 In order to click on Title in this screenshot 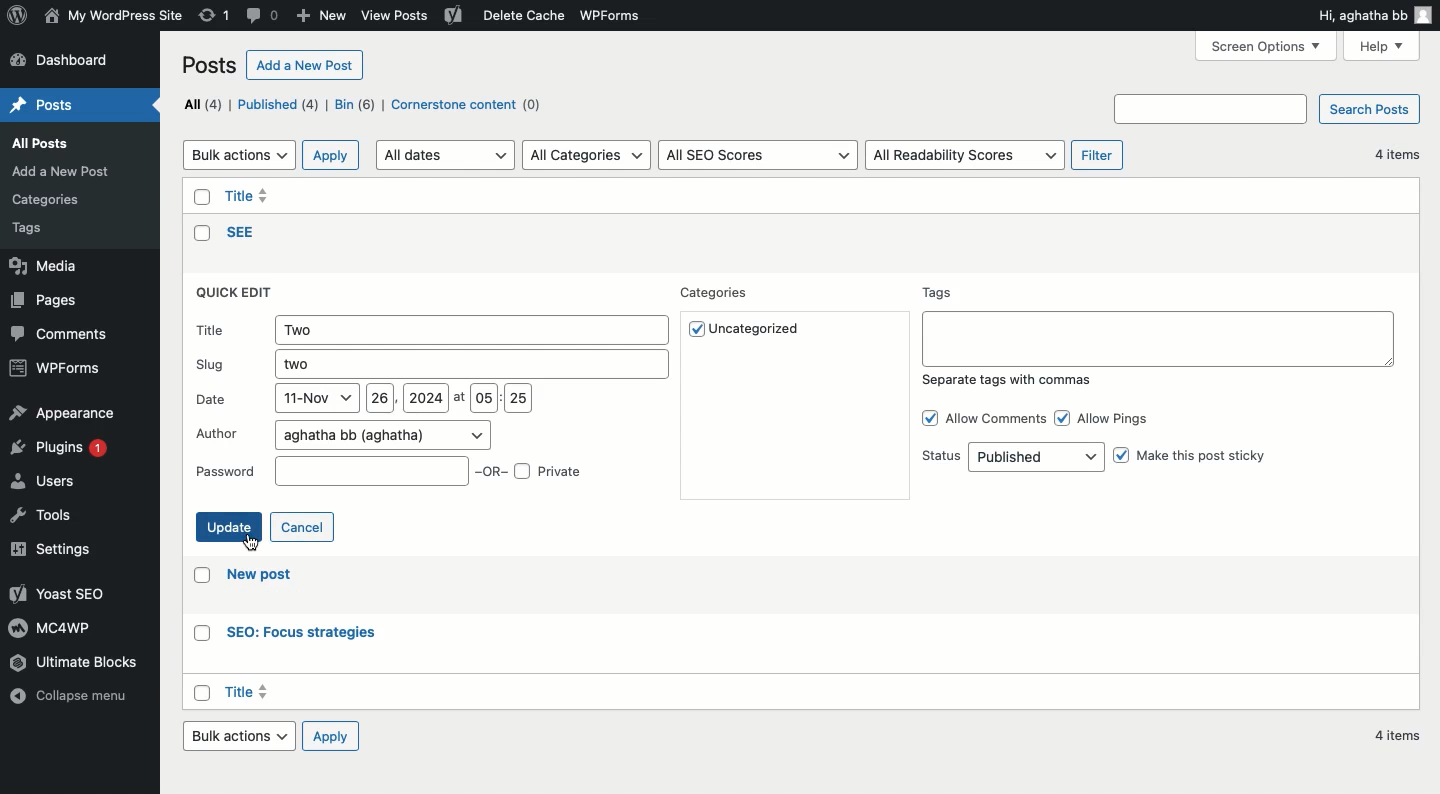, I will do `click(434, 329)`.